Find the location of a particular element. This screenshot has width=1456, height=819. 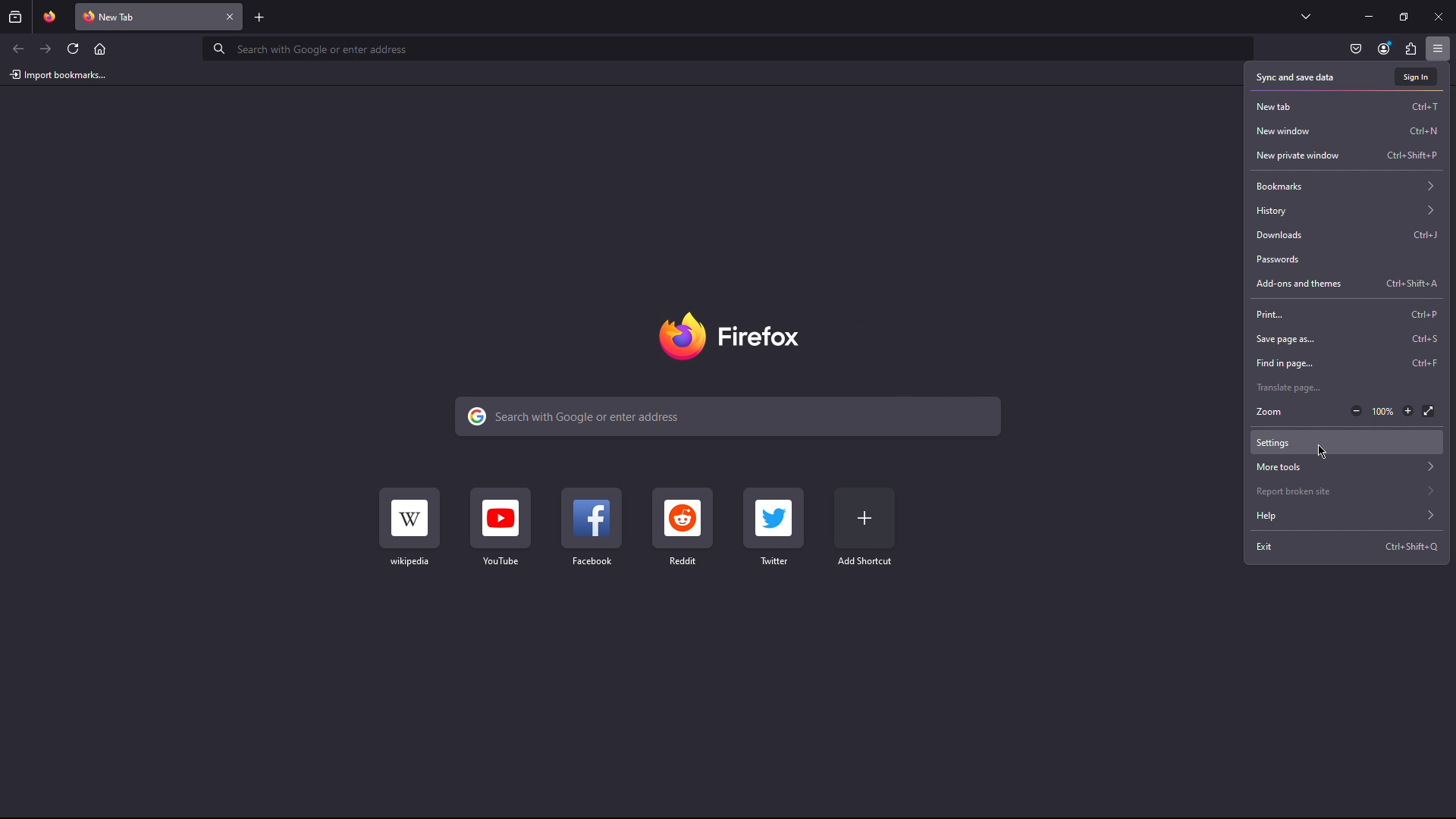

New window is located at coordinates (1346, 130).